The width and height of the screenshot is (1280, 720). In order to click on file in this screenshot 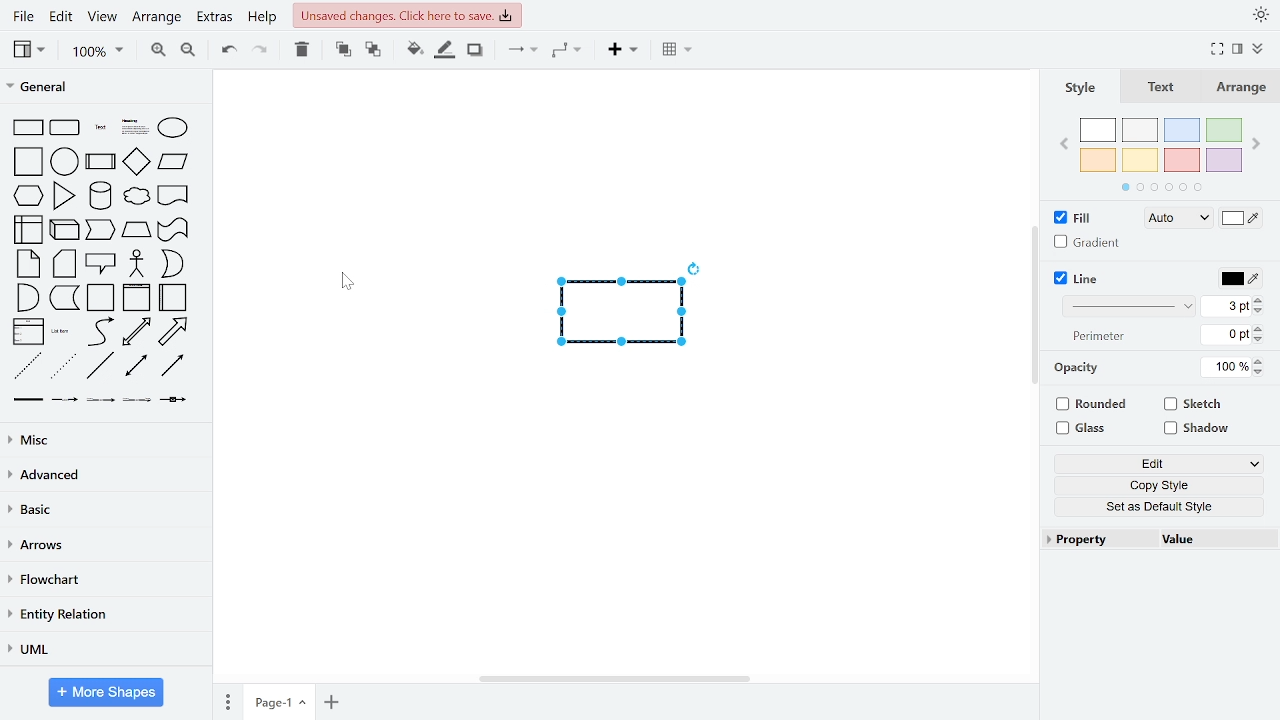, I will do `click(22, 16)`.